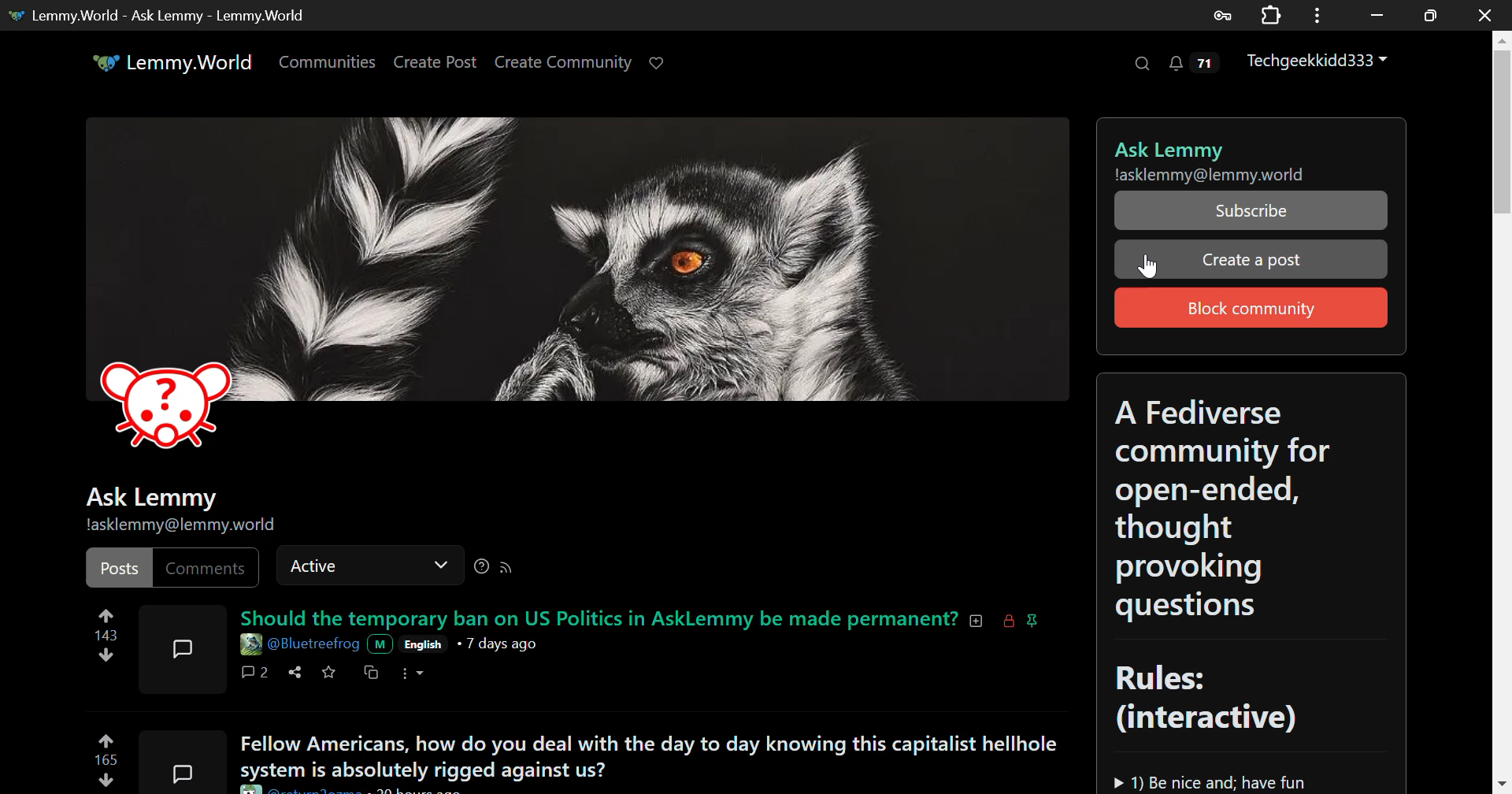 The width and height of the screenshot is (1512, 794). I want to click on Community Media, so click(582, 296).